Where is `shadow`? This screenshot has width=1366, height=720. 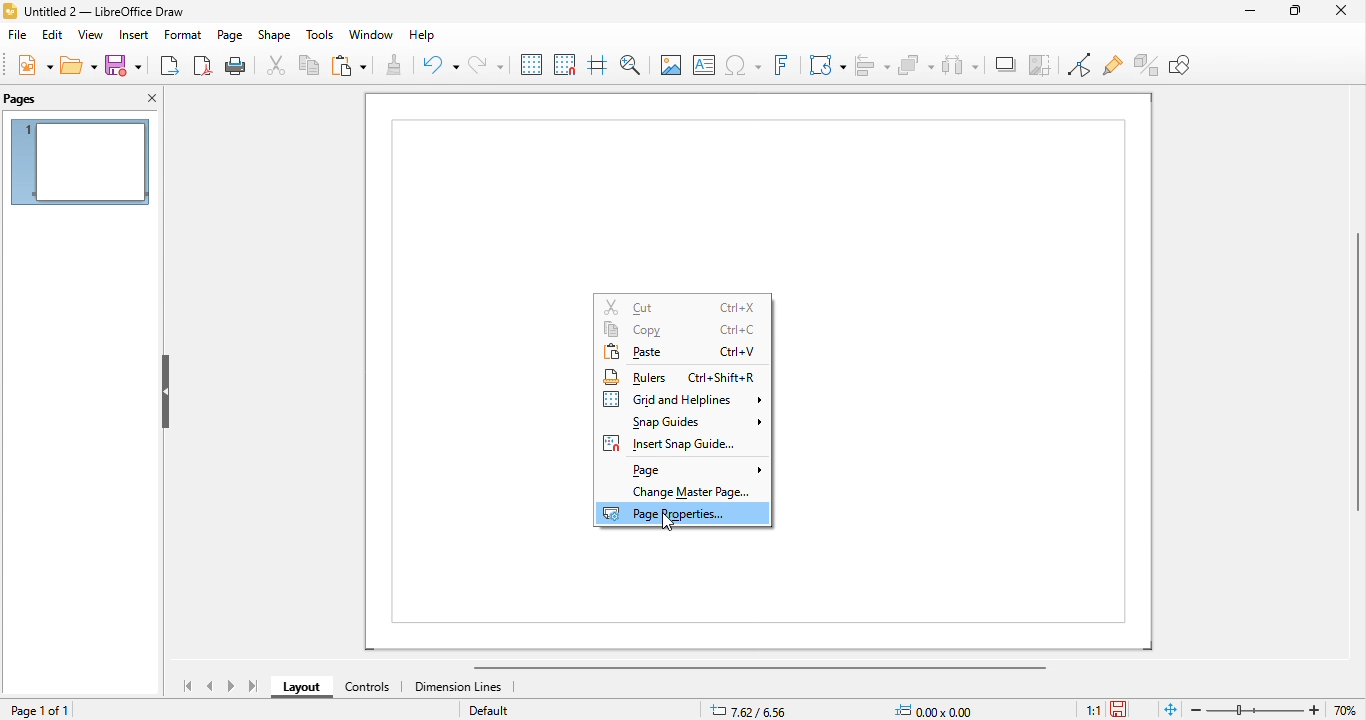
shadow is located at coordinates (1005, 65).